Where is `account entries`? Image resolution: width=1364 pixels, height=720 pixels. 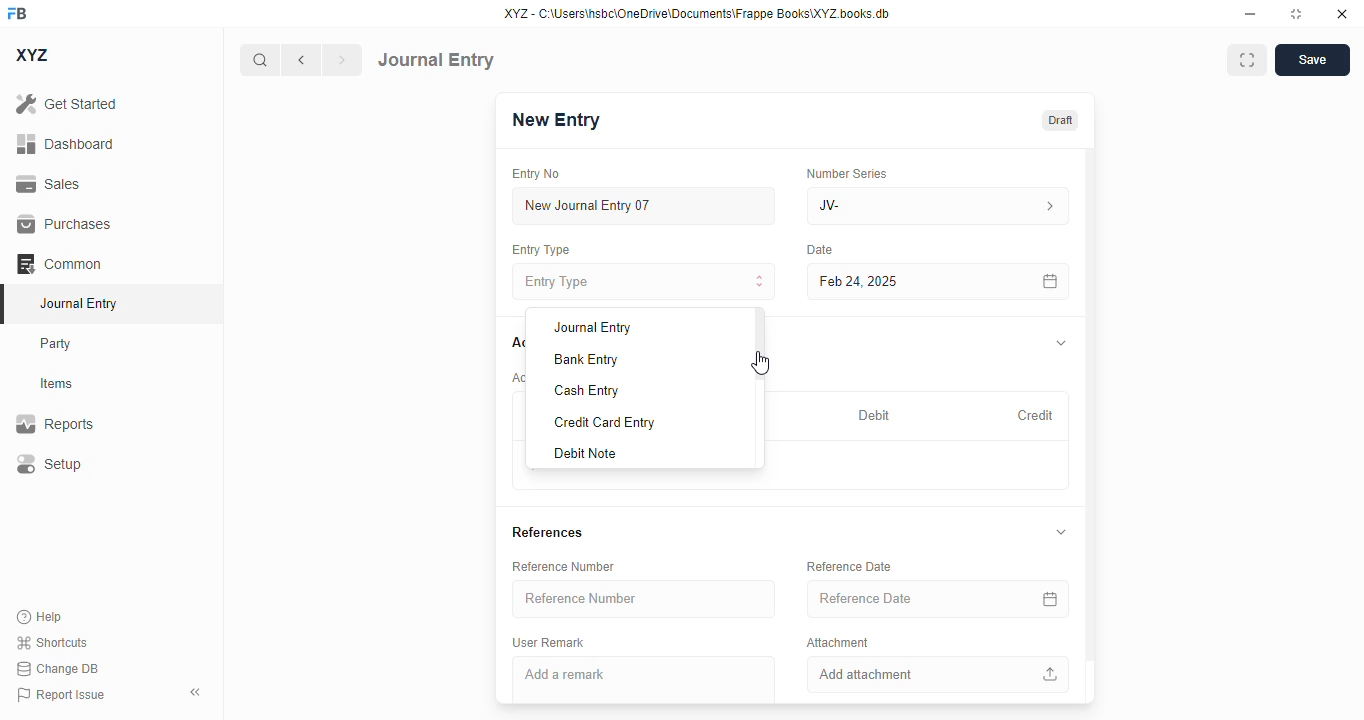
account entries is located at coordinates (517, 377).